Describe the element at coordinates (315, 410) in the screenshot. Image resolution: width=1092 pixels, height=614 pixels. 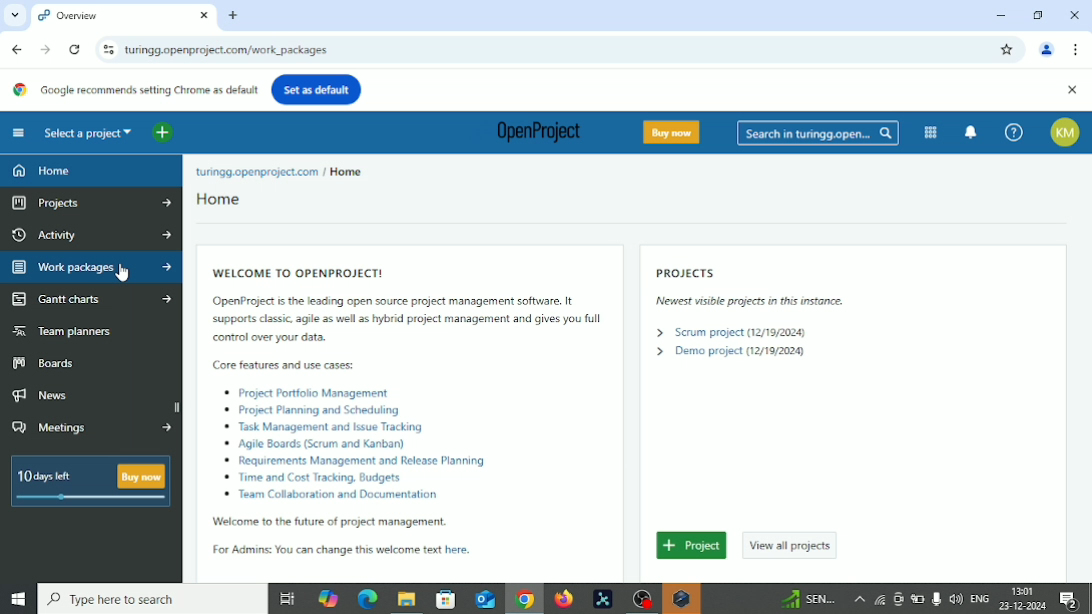
I see `® Project Planning and Schedubing` at that location.